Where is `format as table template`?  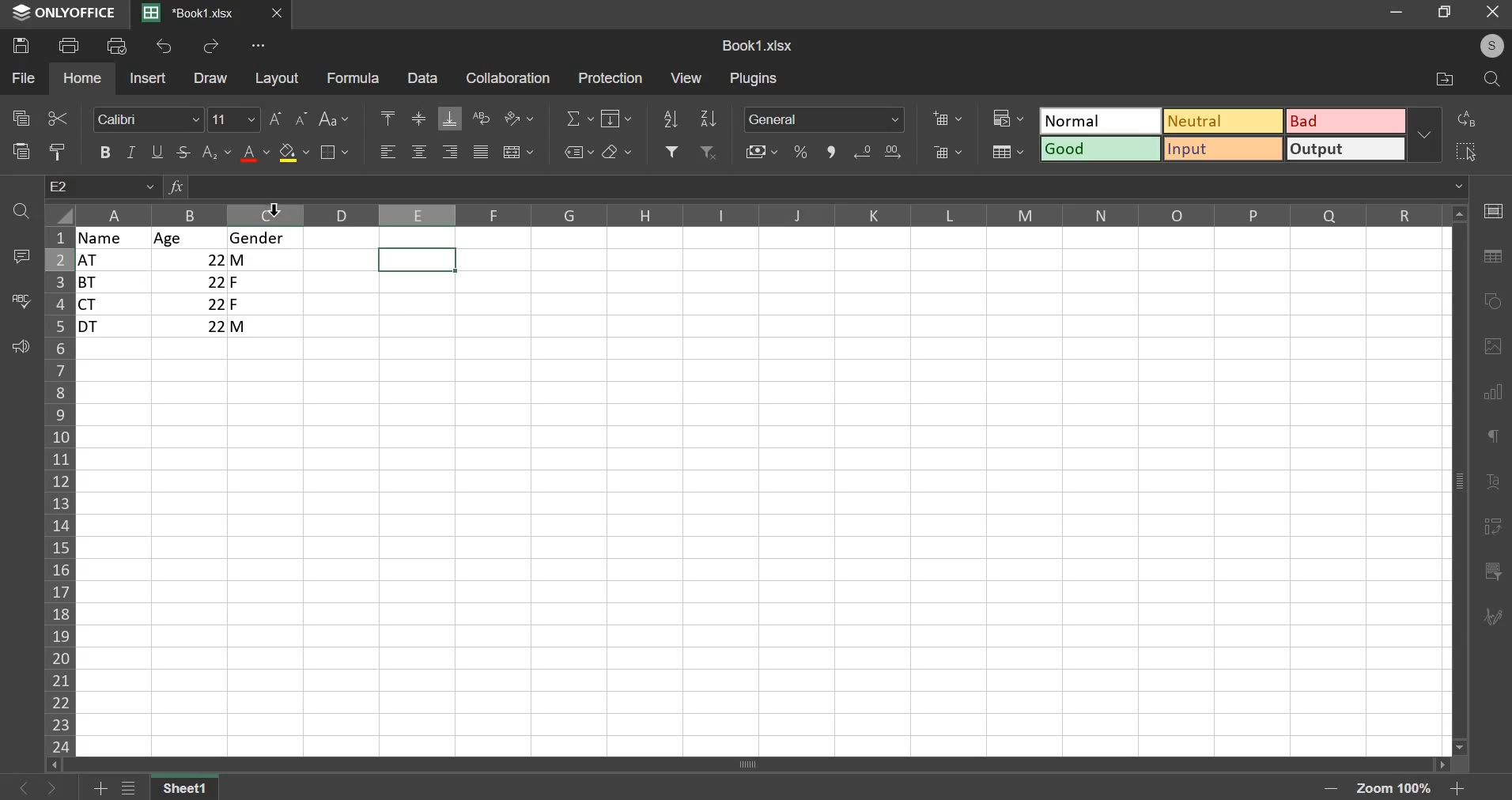 format as table template is located at coordinates (1007, 152).